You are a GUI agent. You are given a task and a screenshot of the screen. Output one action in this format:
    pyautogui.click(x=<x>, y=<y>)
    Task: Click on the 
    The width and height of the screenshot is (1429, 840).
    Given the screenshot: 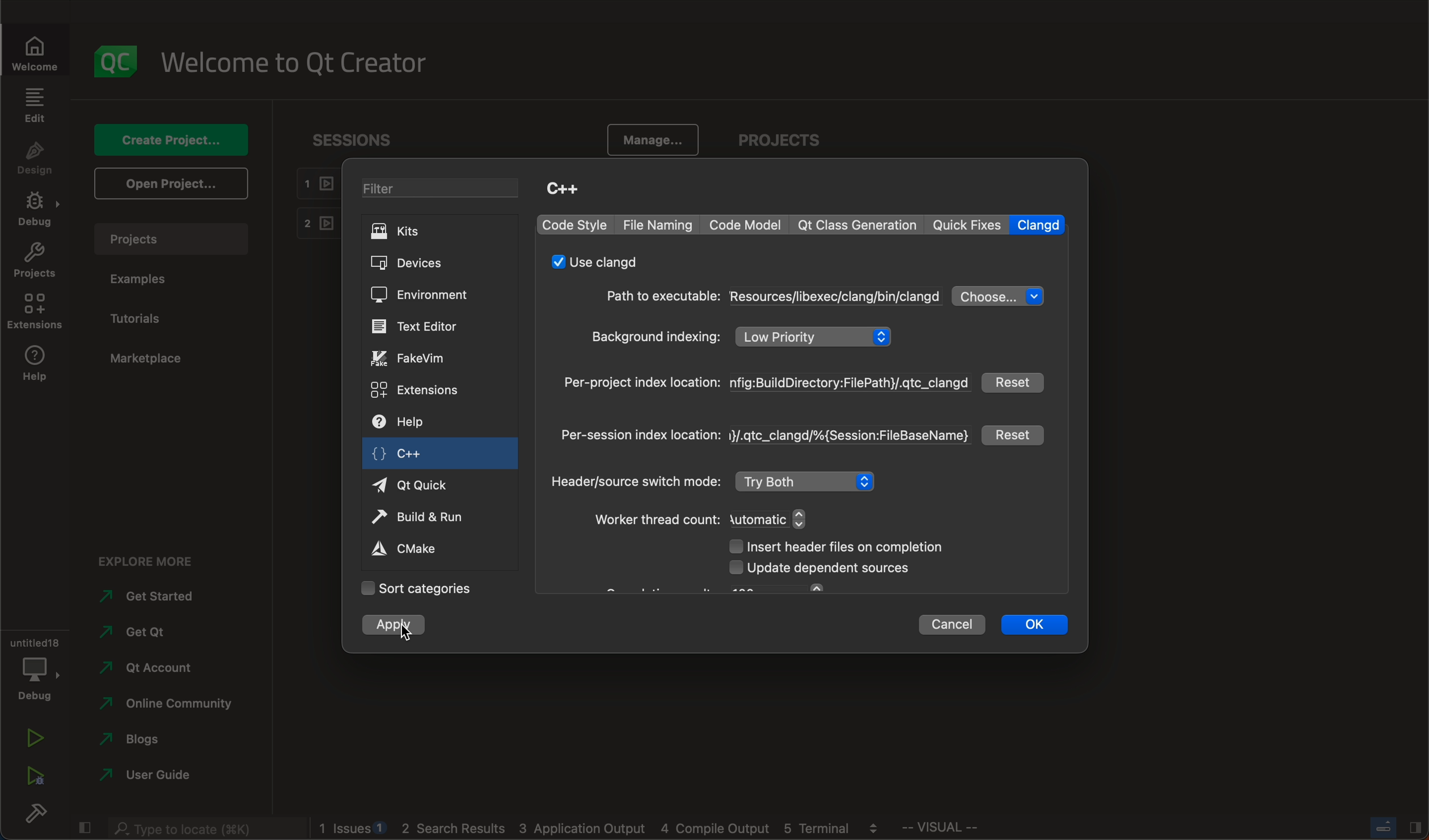 What is the action you would take?
    pyautogui.click(x=944, y=827)
    